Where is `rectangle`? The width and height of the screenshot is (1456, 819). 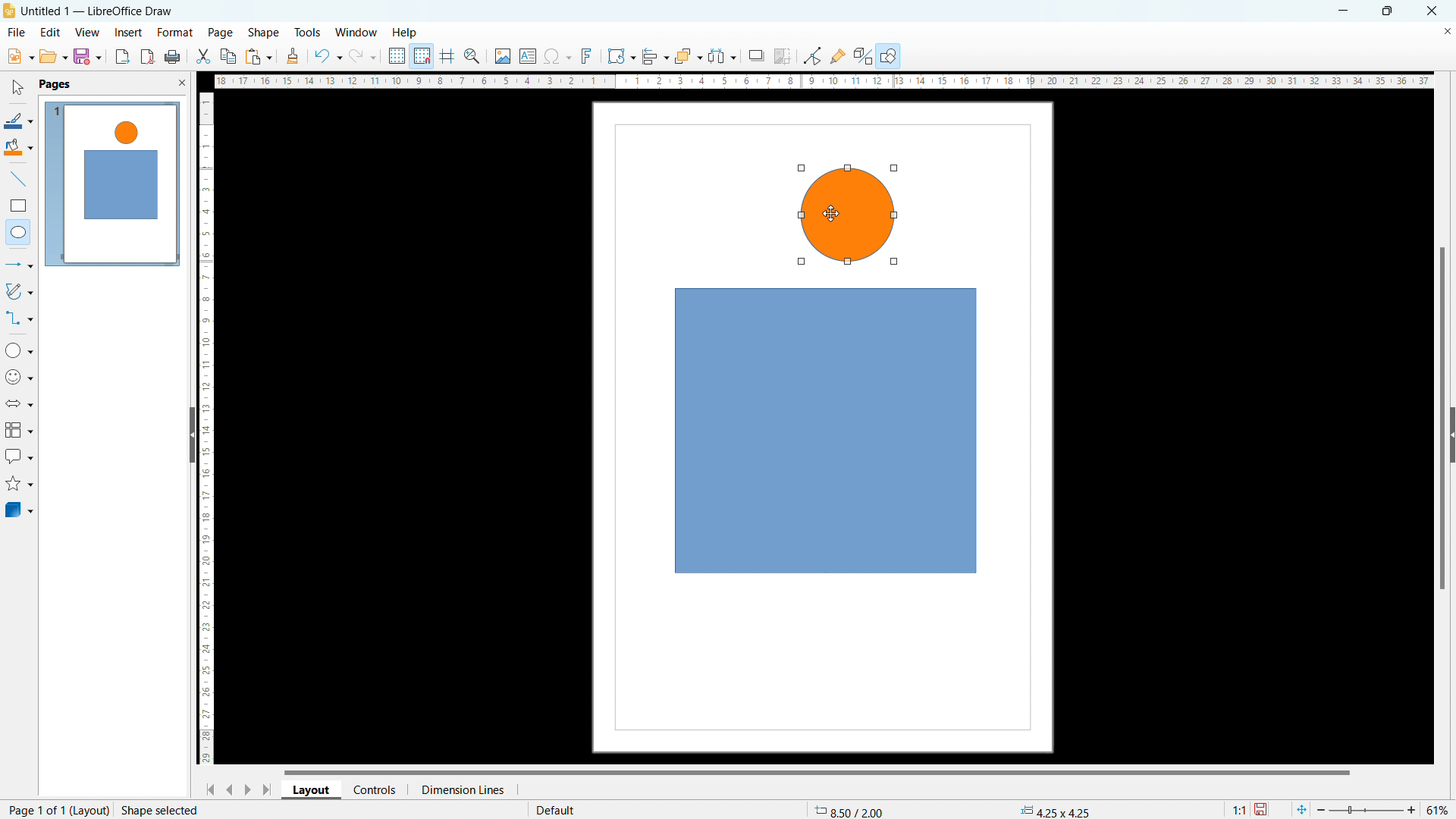 rectangle is located at coordinates (18, 206).